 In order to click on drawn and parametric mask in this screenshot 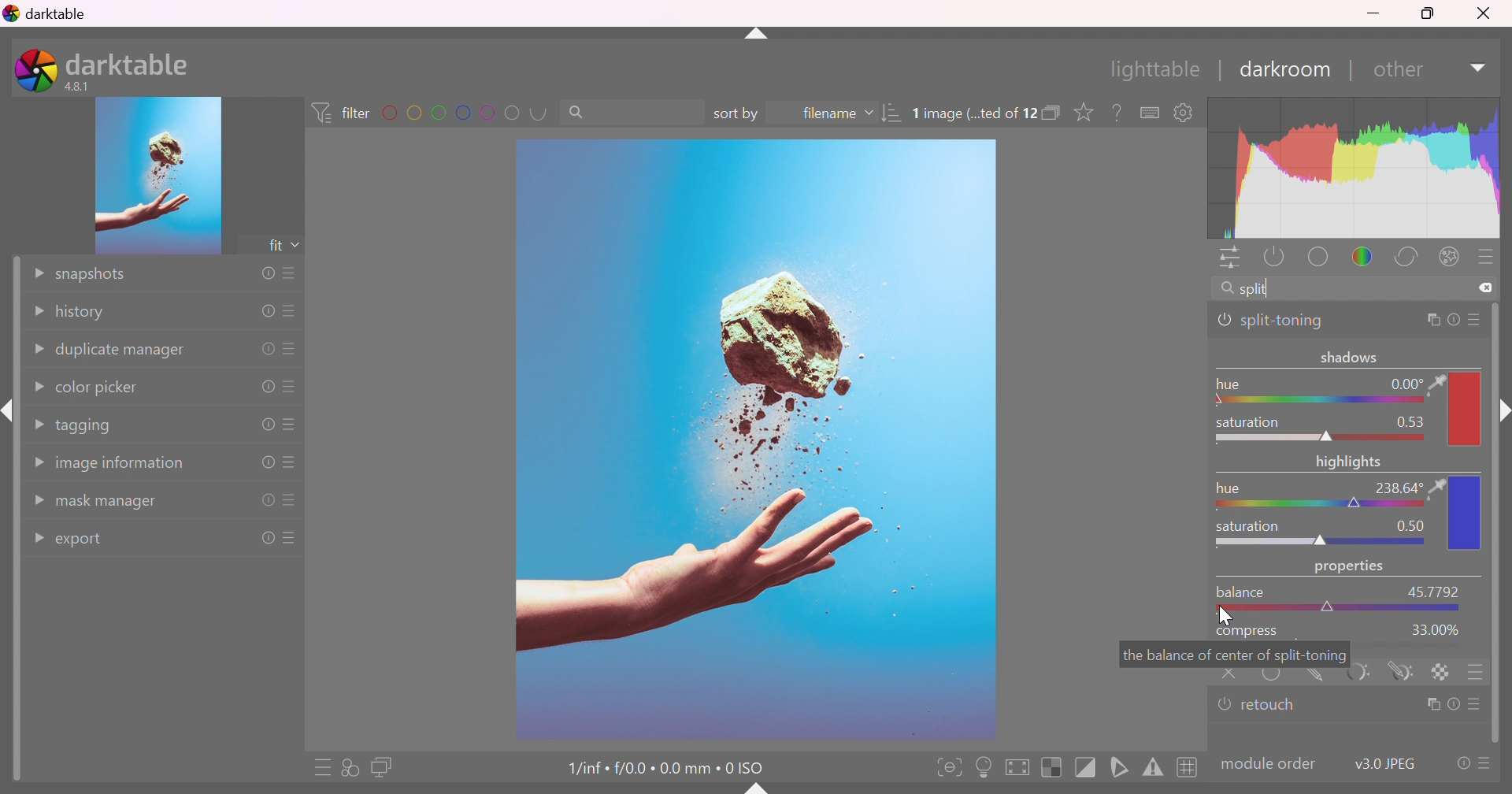, I will do `click(1401, 670)`.